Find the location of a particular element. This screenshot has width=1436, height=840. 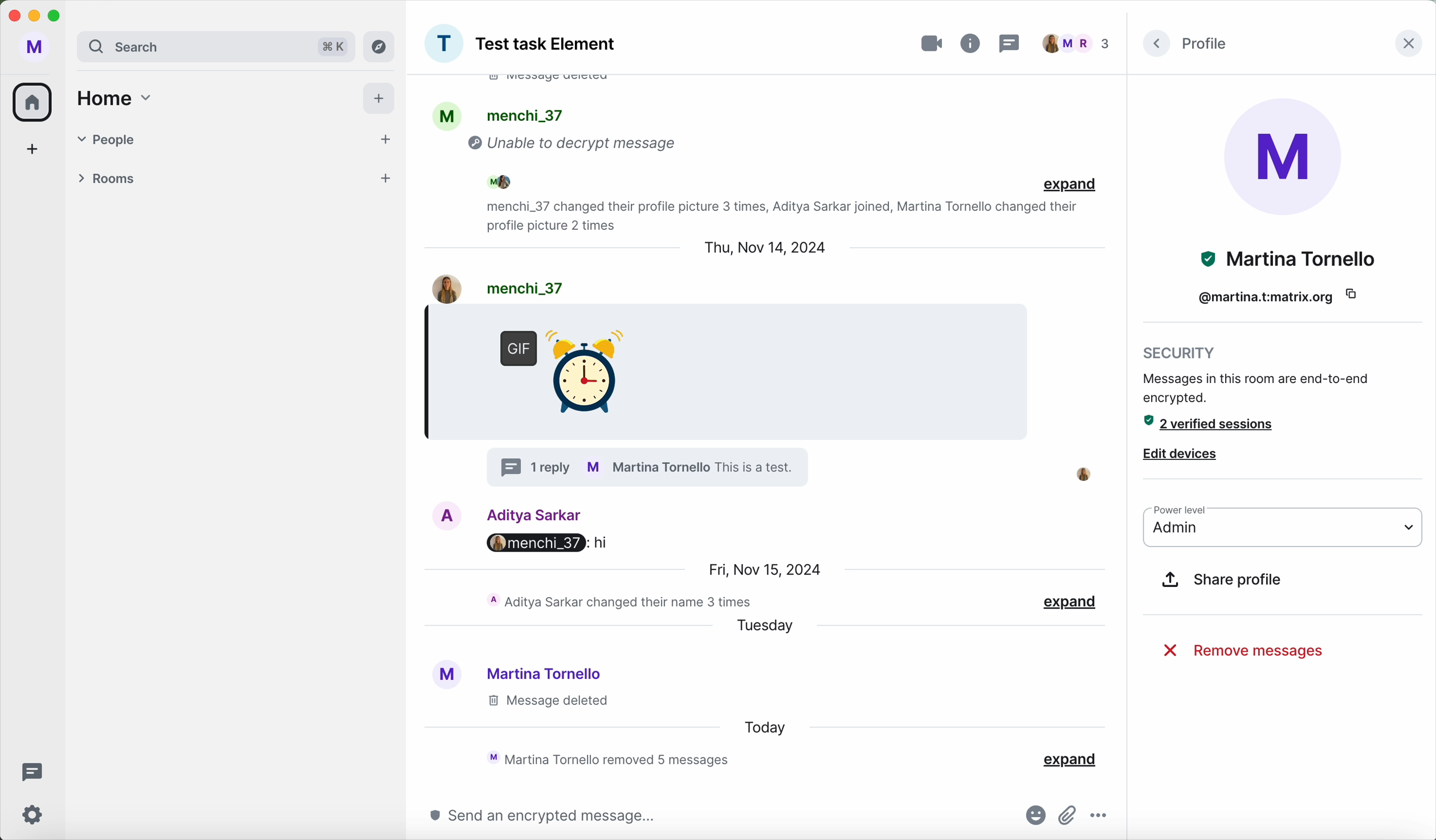

Aditya user is located at coordinates (537, 513).